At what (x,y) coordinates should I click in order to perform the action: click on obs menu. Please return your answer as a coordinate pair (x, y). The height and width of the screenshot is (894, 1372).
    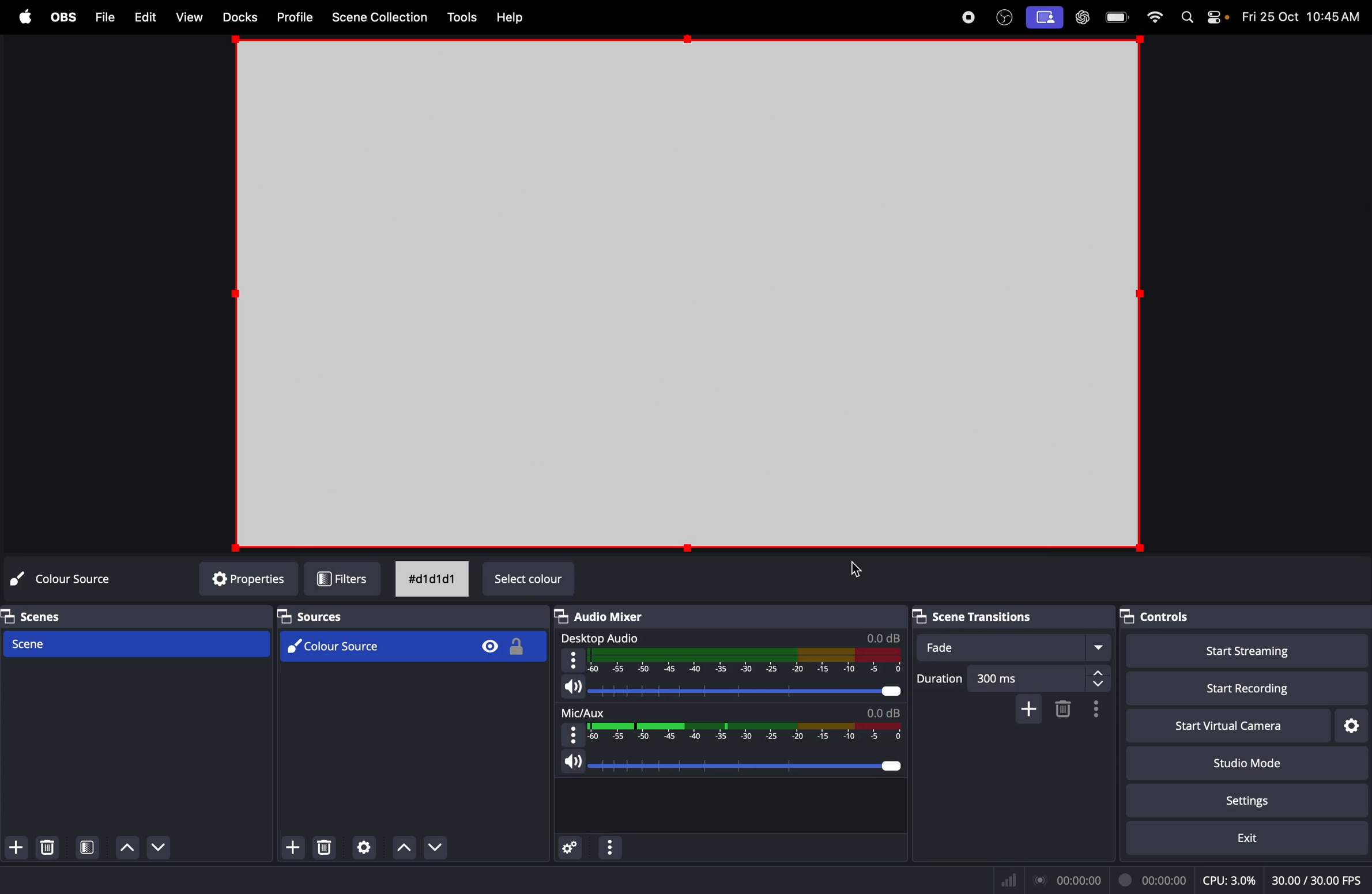
    Looking at the image, I should click on (62, 16).